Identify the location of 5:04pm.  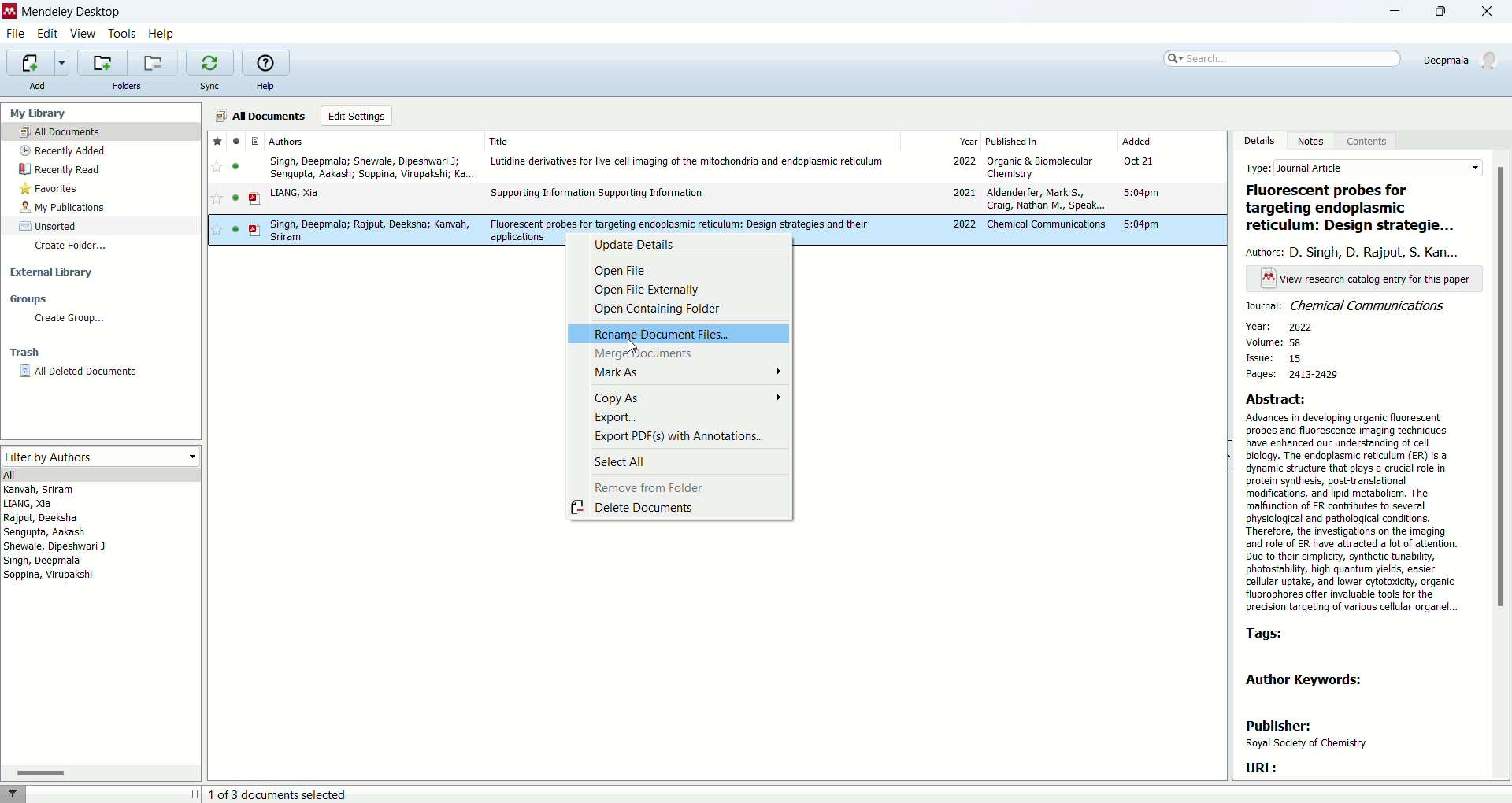
(1141, 193).